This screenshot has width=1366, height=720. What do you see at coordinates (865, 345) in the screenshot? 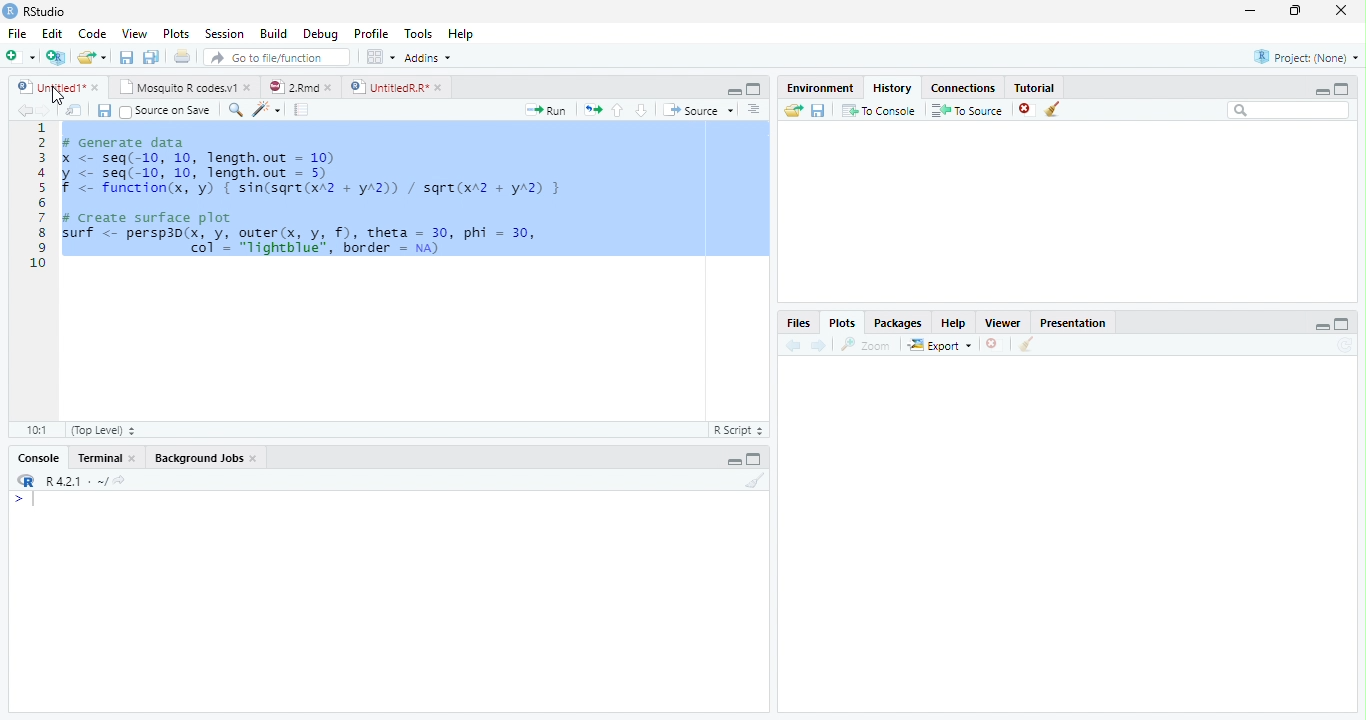
I see `Zoom` at bounding box center [865, 345].